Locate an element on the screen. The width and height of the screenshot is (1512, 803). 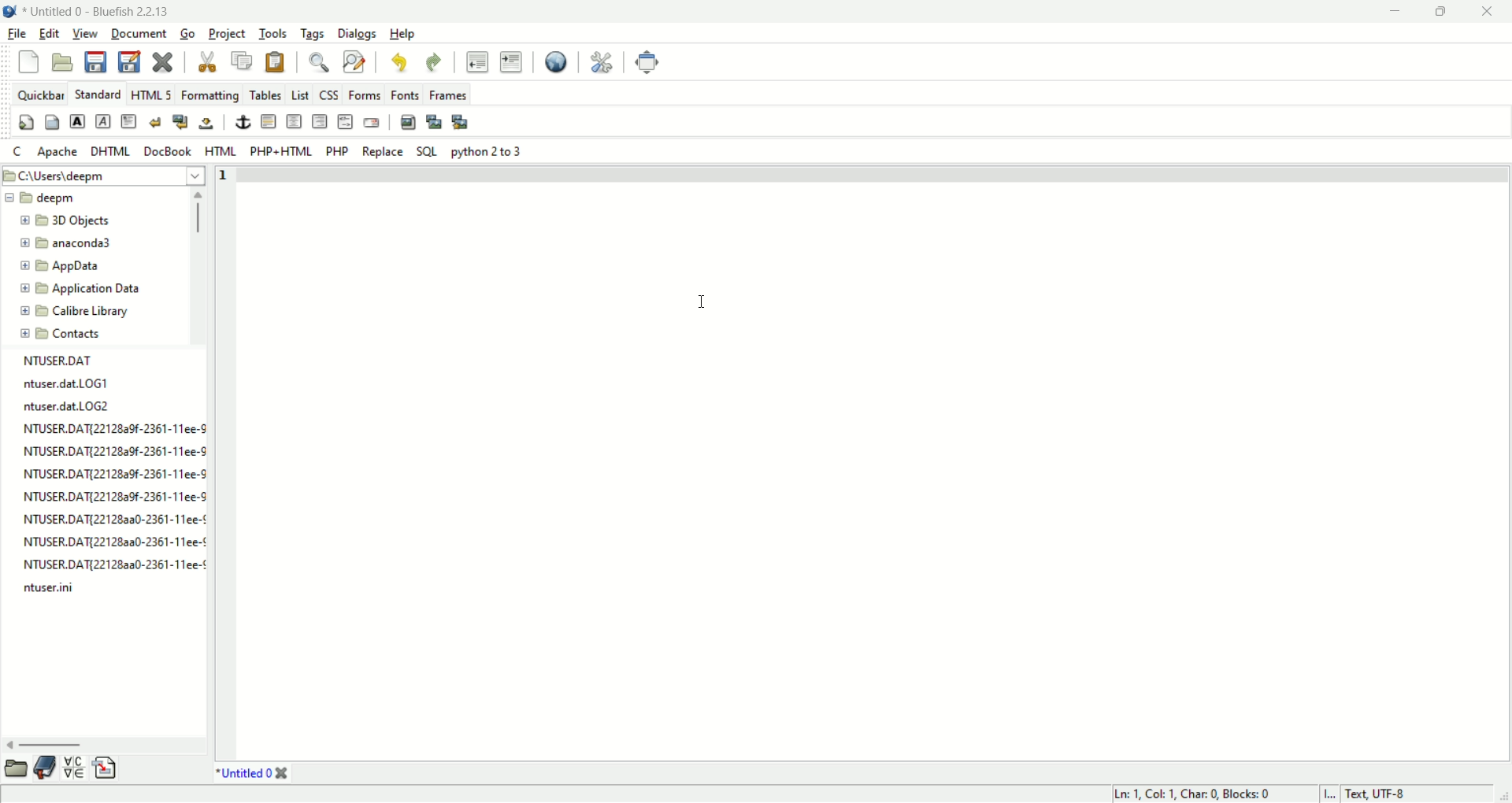
maximize is located at coordinates (1440, 12).